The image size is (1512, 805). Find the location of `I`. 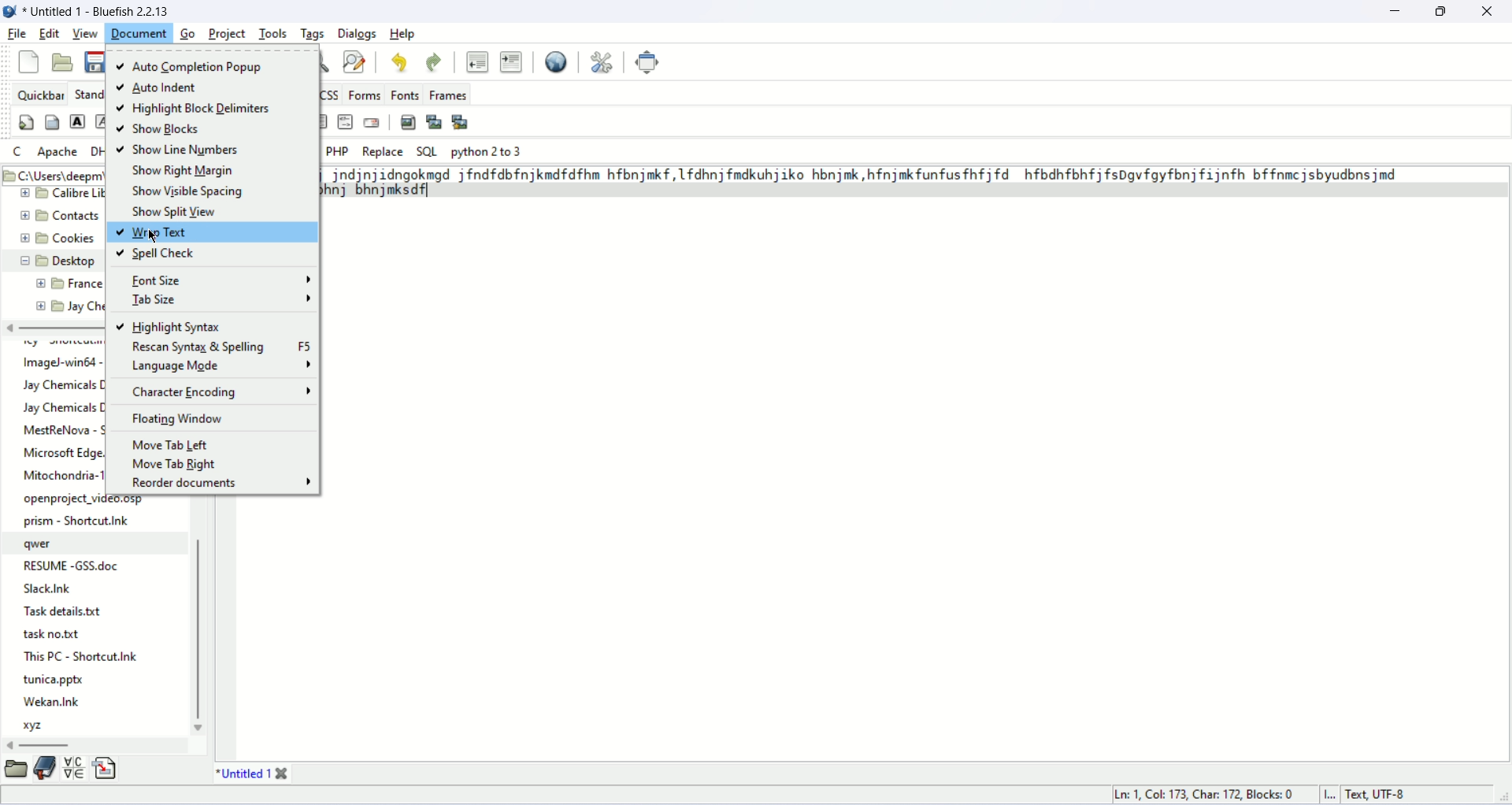

I is located at coordinates (1332, 794).